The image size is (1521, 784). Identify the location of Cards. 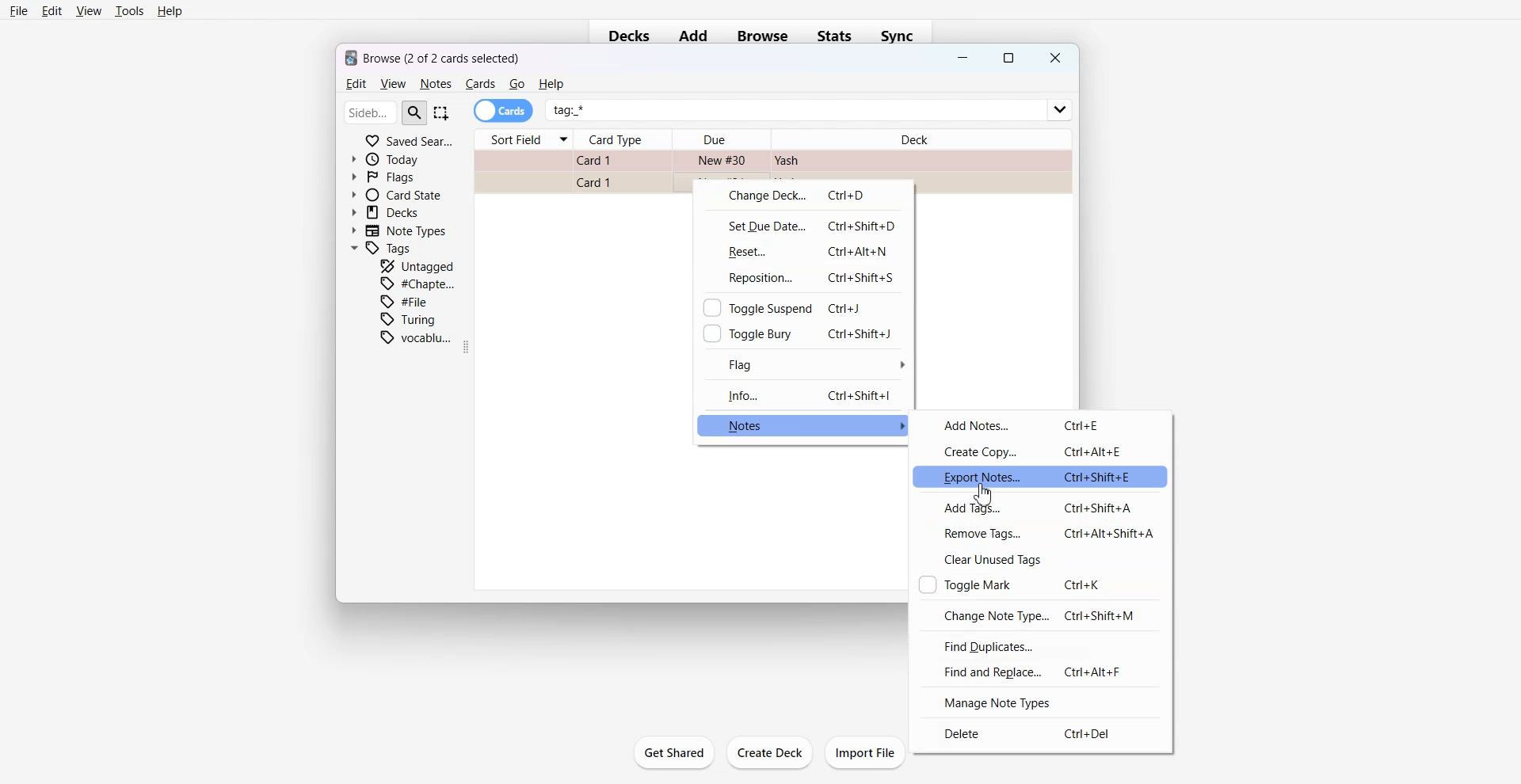
(504, 111).